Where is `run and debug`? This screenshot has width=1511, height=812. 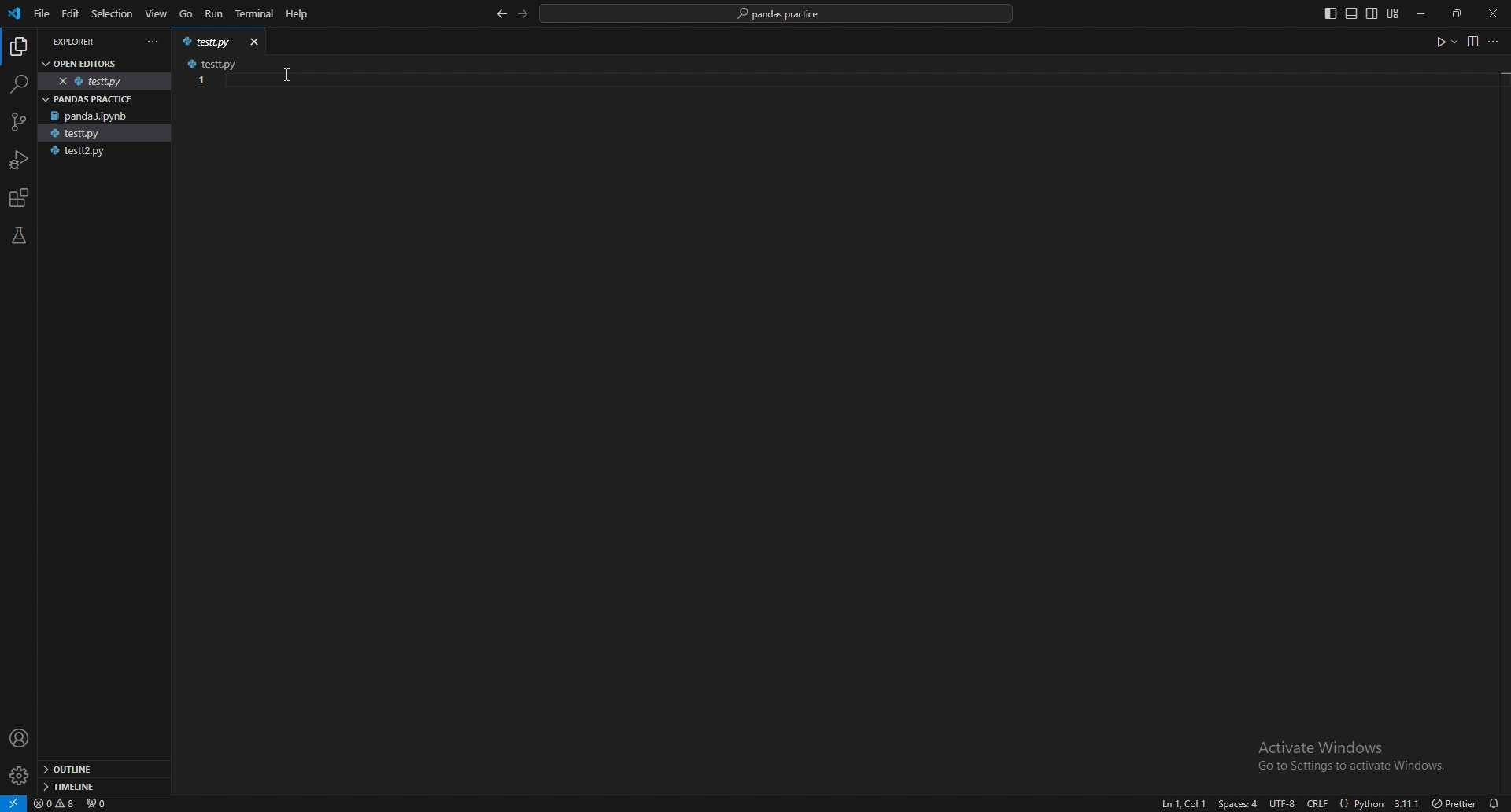
run and debug is located at coordinates (20, 160).